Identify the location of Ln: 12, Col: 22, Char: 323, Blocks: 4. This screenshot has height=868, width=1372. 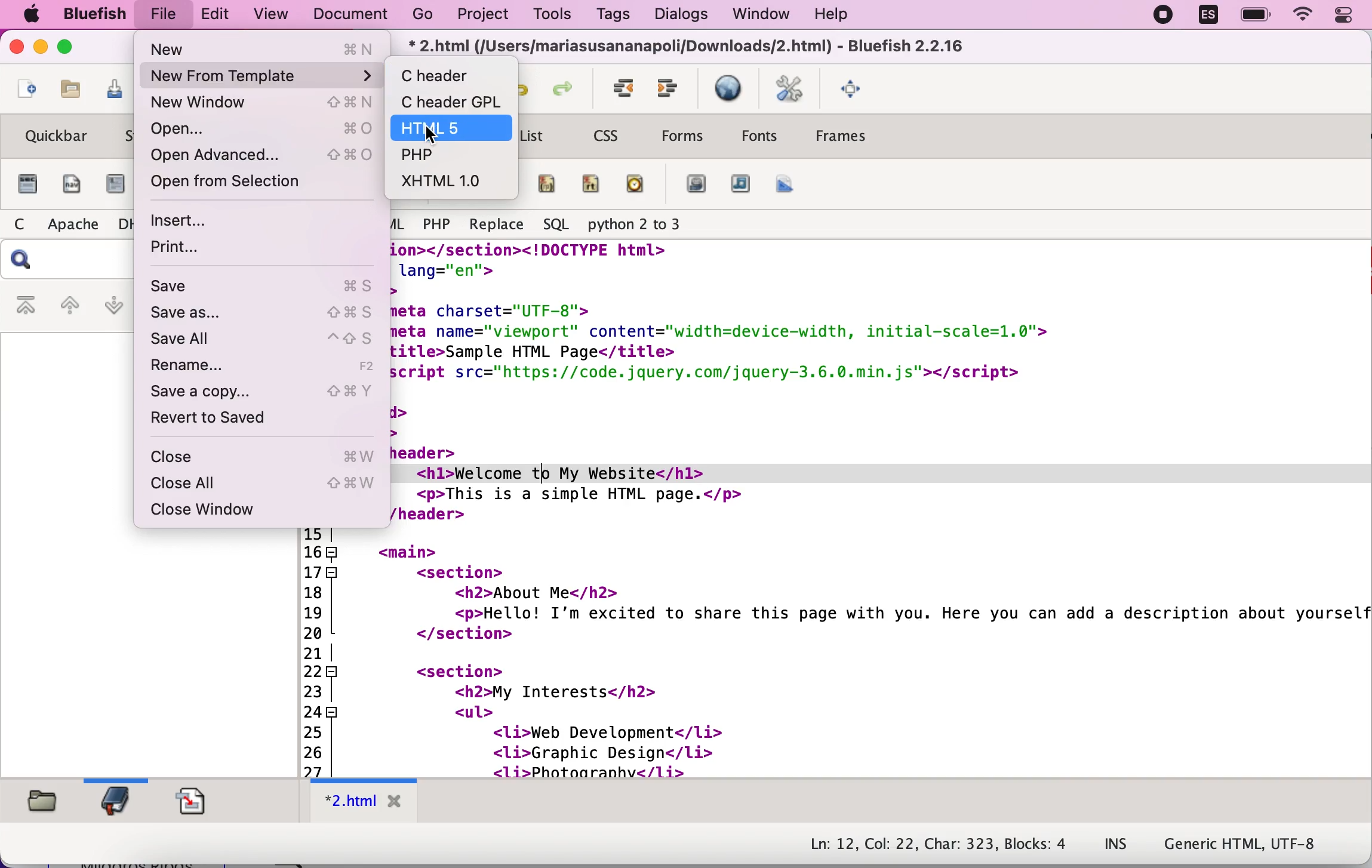
(932, 841).